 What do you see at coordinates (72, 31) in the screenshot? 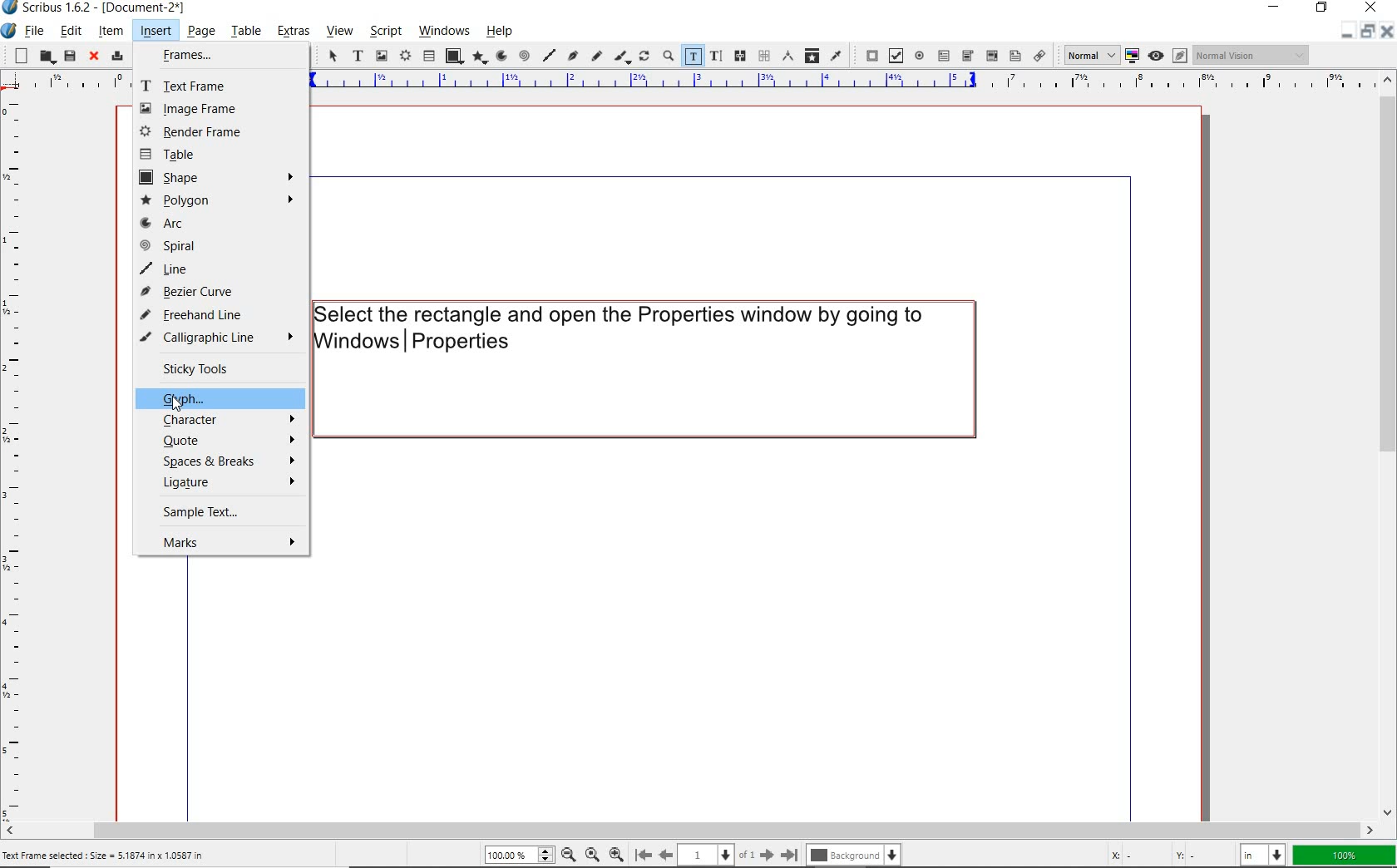
I see `edit` at bounding box center [72, 31].